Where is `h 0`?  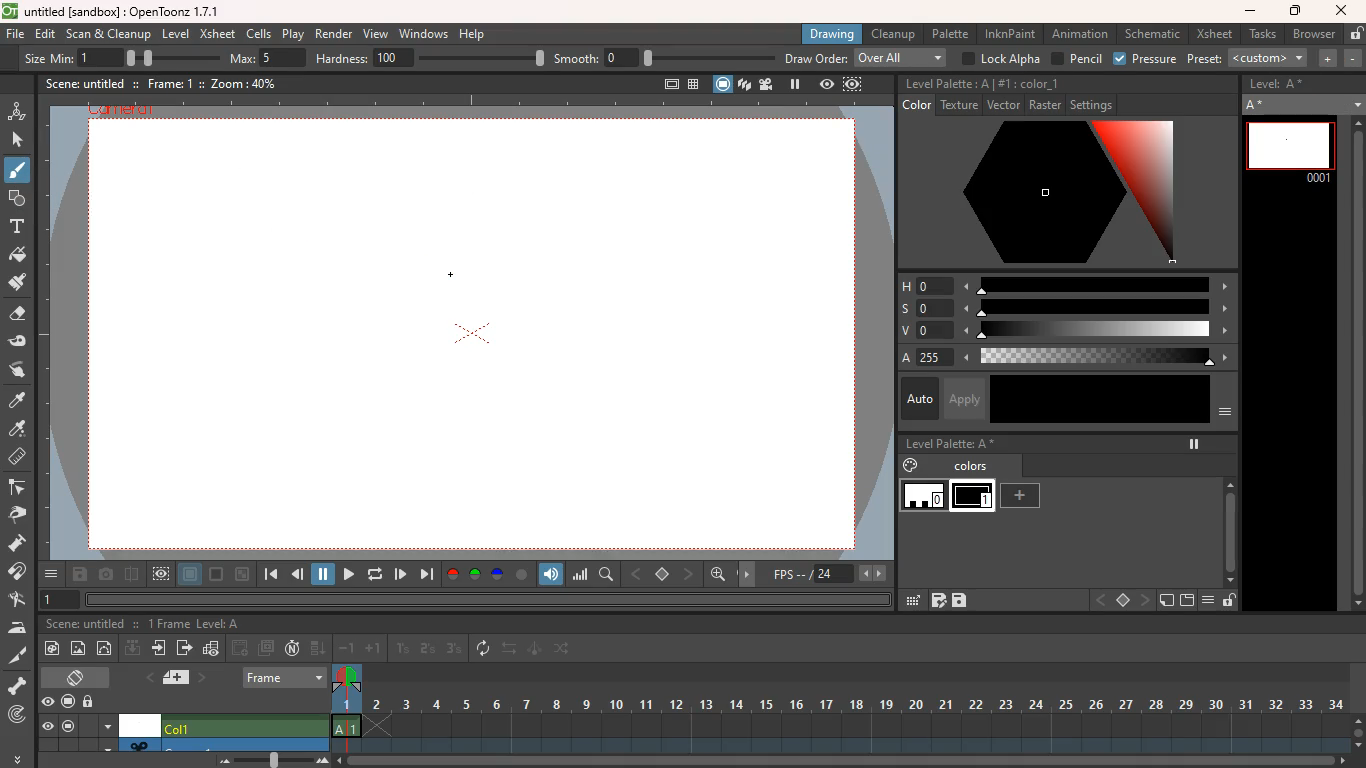
h 0 is located at coordinates (919, 286).